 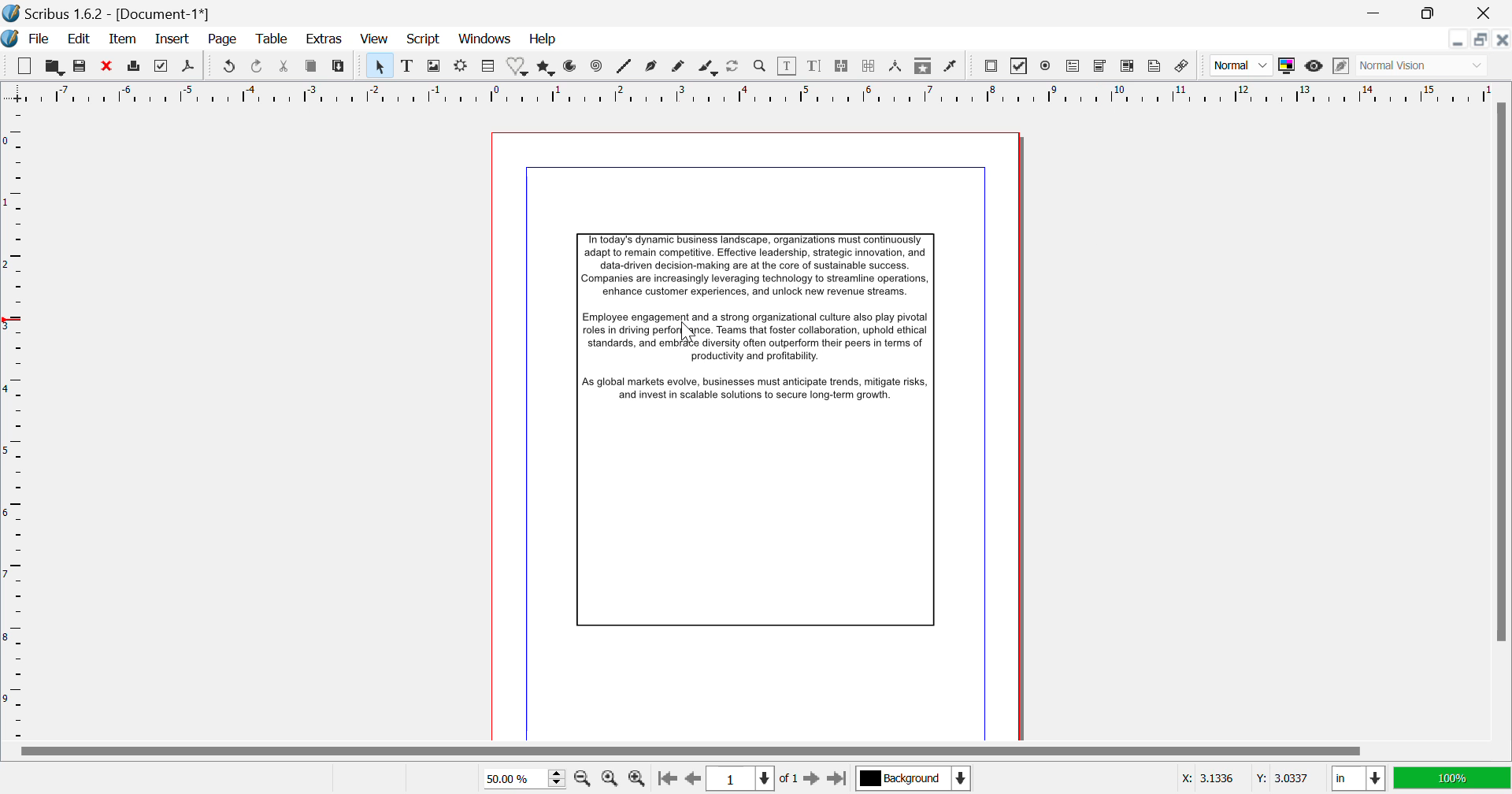 What do you see at coordinates (1458, 39) in the screenshot?
I see `Restore Down` at bounding box center [1458, 39].